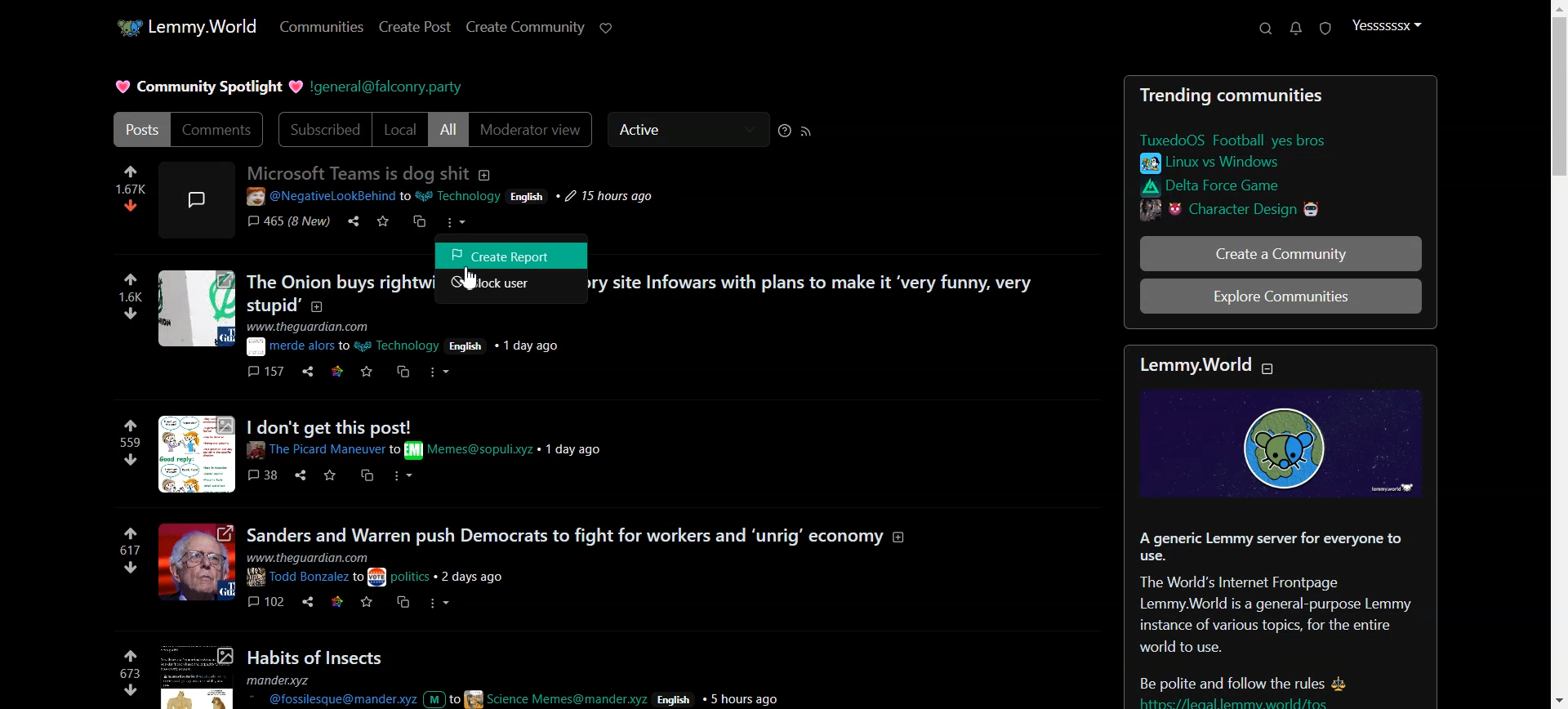 Image resolution: width=1568 pixels, height=709 pixels. What do you see at coordinates (1296, 29) in the screenshot?
I see `Unread message` at bounding box center [1296, 29].